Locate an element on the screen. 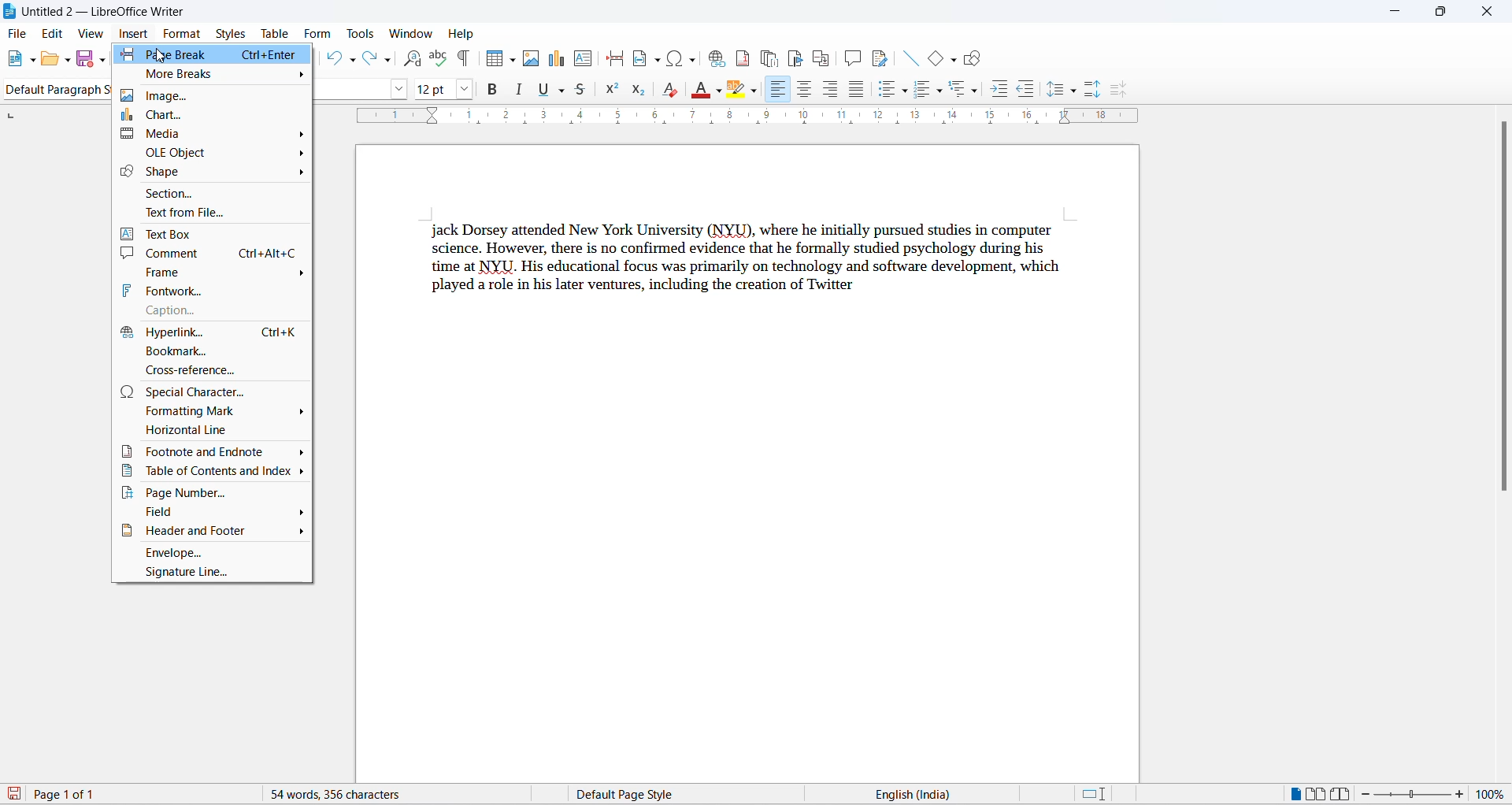 The height and width of the screenshot is (805, 1512). file is located at coordinates (20, 35).